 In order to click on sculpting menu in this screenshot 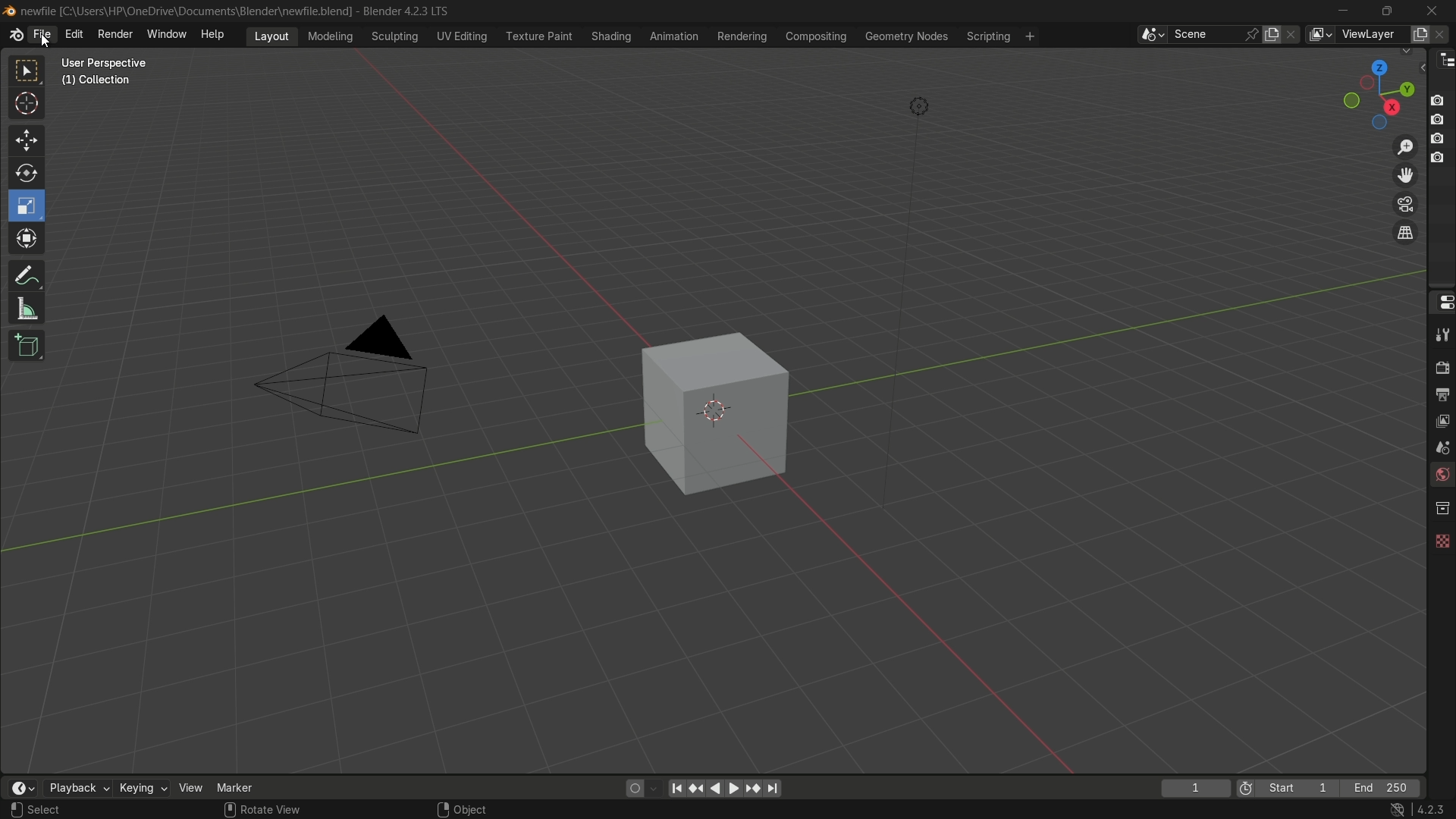, I will do `click(391, 36)`.